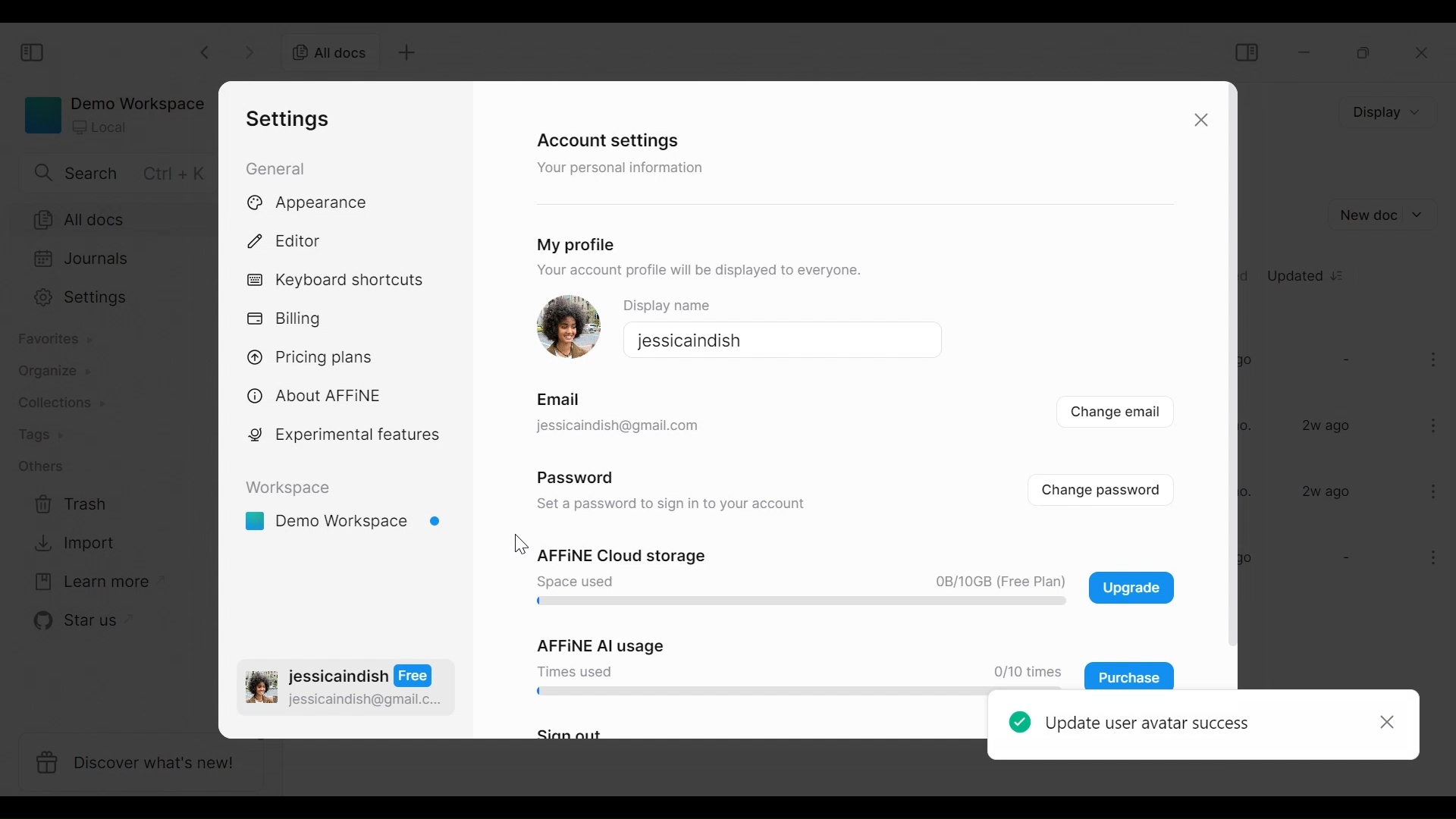  Describe the element at coordinates (275, 168) in the screenshot. I see `General` at that location.